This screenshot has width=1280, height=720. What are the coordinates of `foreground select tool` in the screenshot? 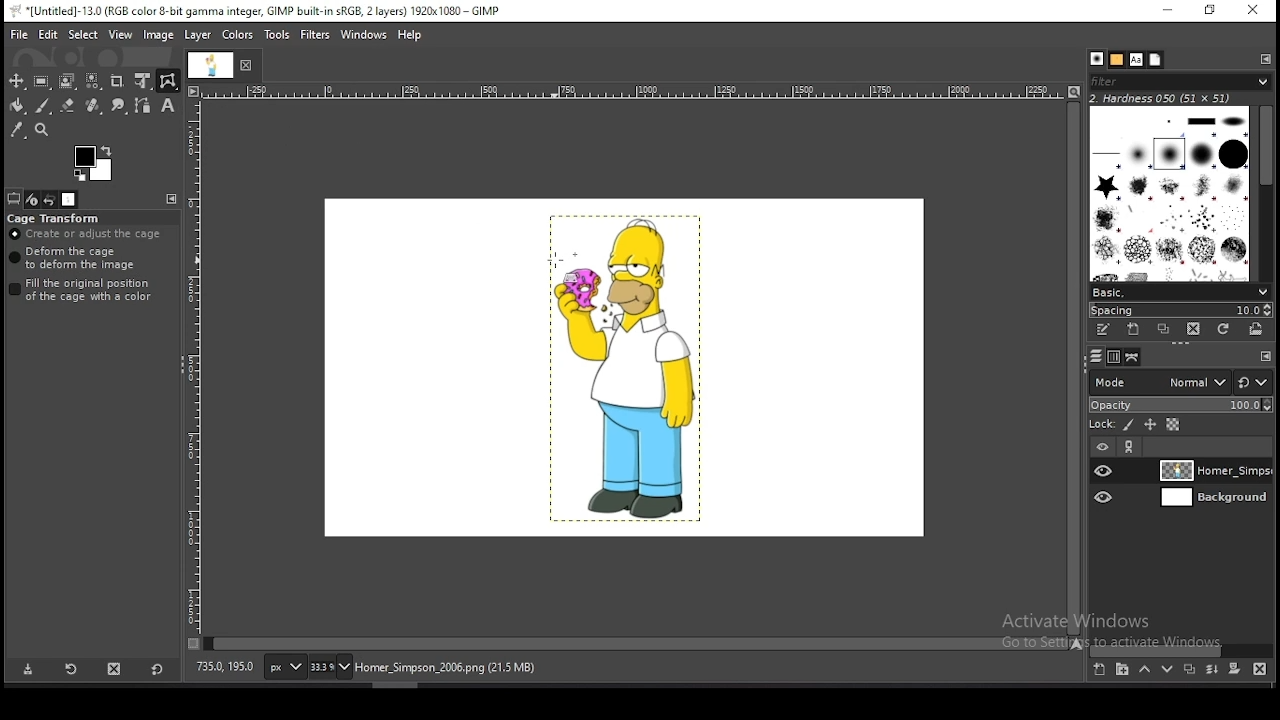 It's located at (67, 81).